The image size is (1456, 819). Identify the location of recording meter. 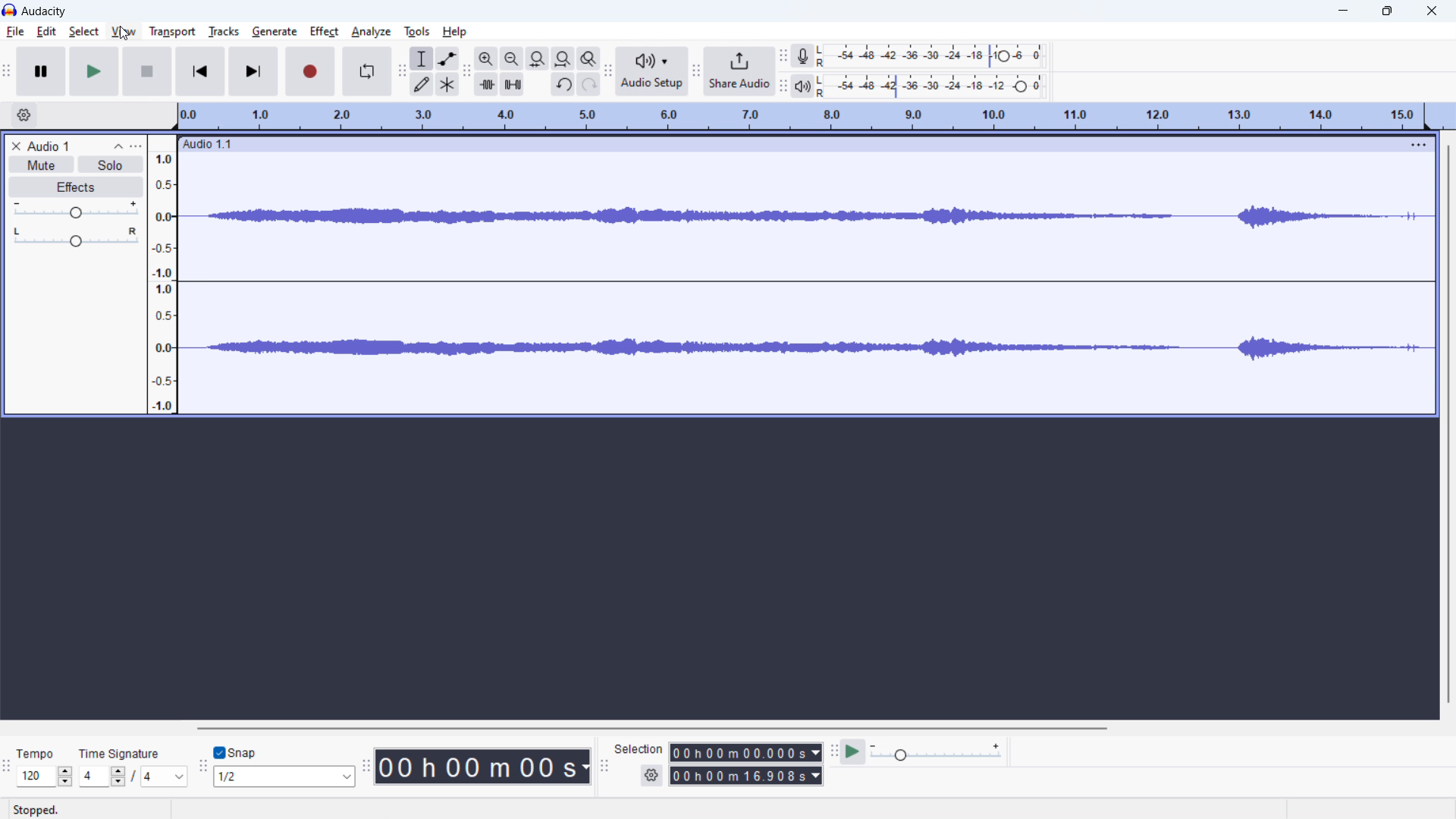
(803, 57).